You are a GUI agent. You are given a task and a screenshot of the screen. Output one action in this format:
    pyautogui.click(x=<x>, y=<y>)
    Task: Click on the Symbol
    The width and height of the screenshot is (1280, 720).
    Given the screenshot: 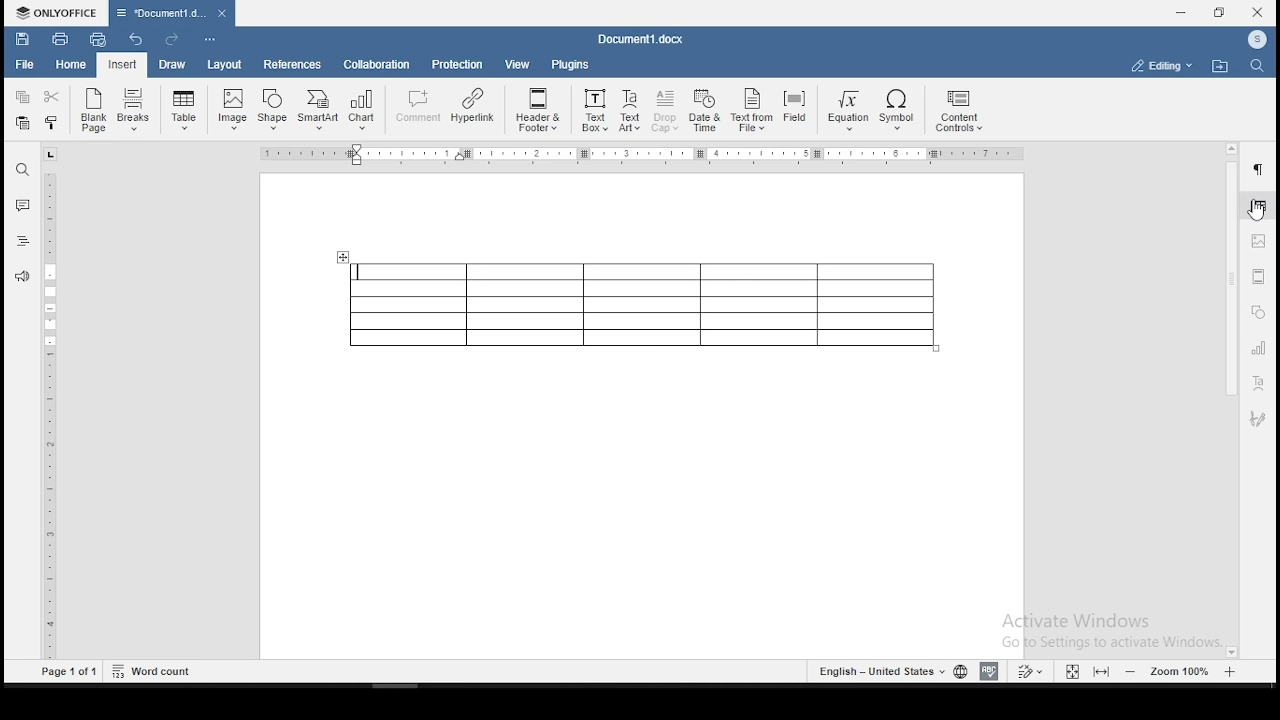 What is the action you would take?
    pyautogui.click(x=900, y=112)
    